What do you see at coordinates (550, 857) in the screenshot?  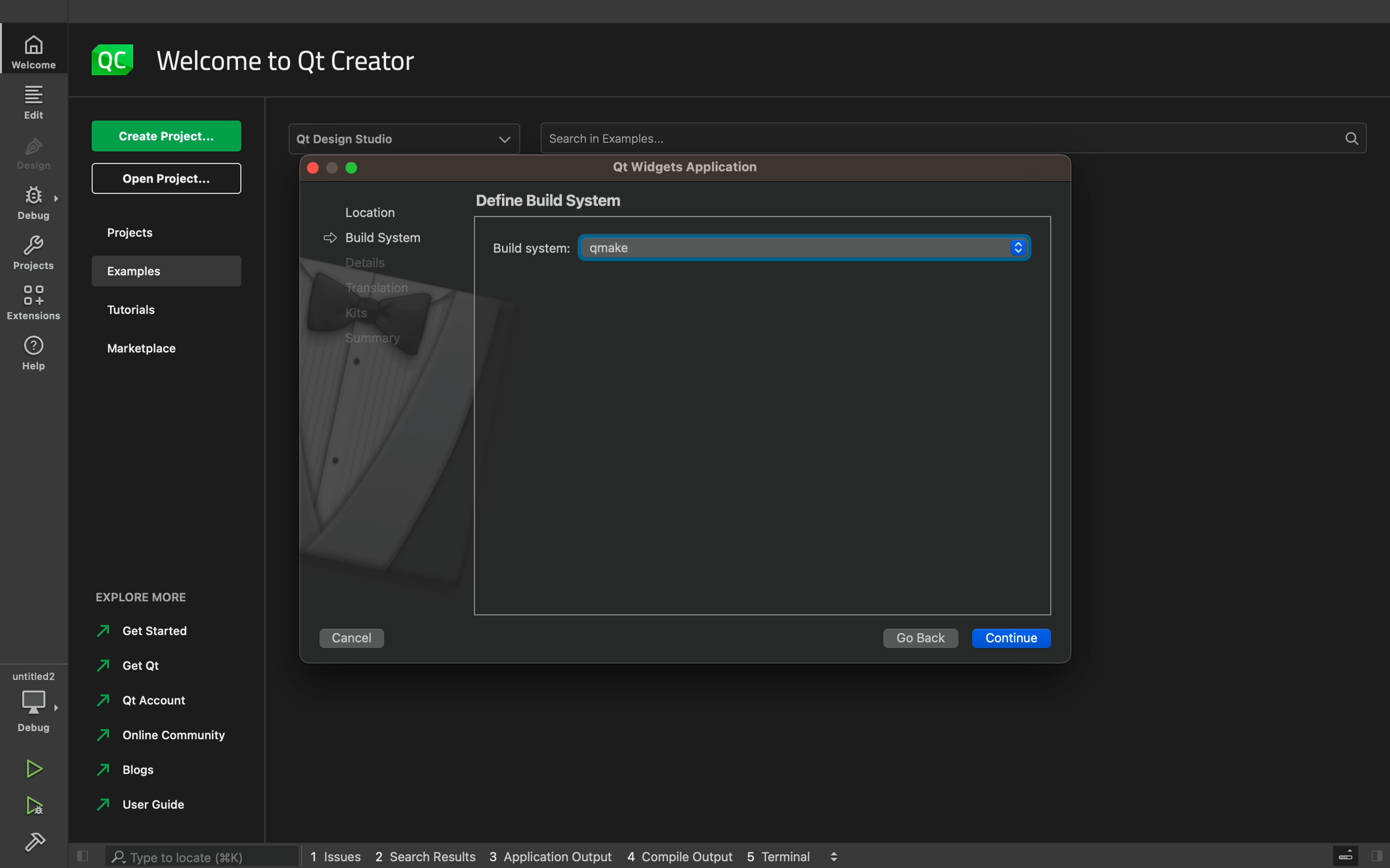 I see `3 application output` at bounding box center [550, 857].